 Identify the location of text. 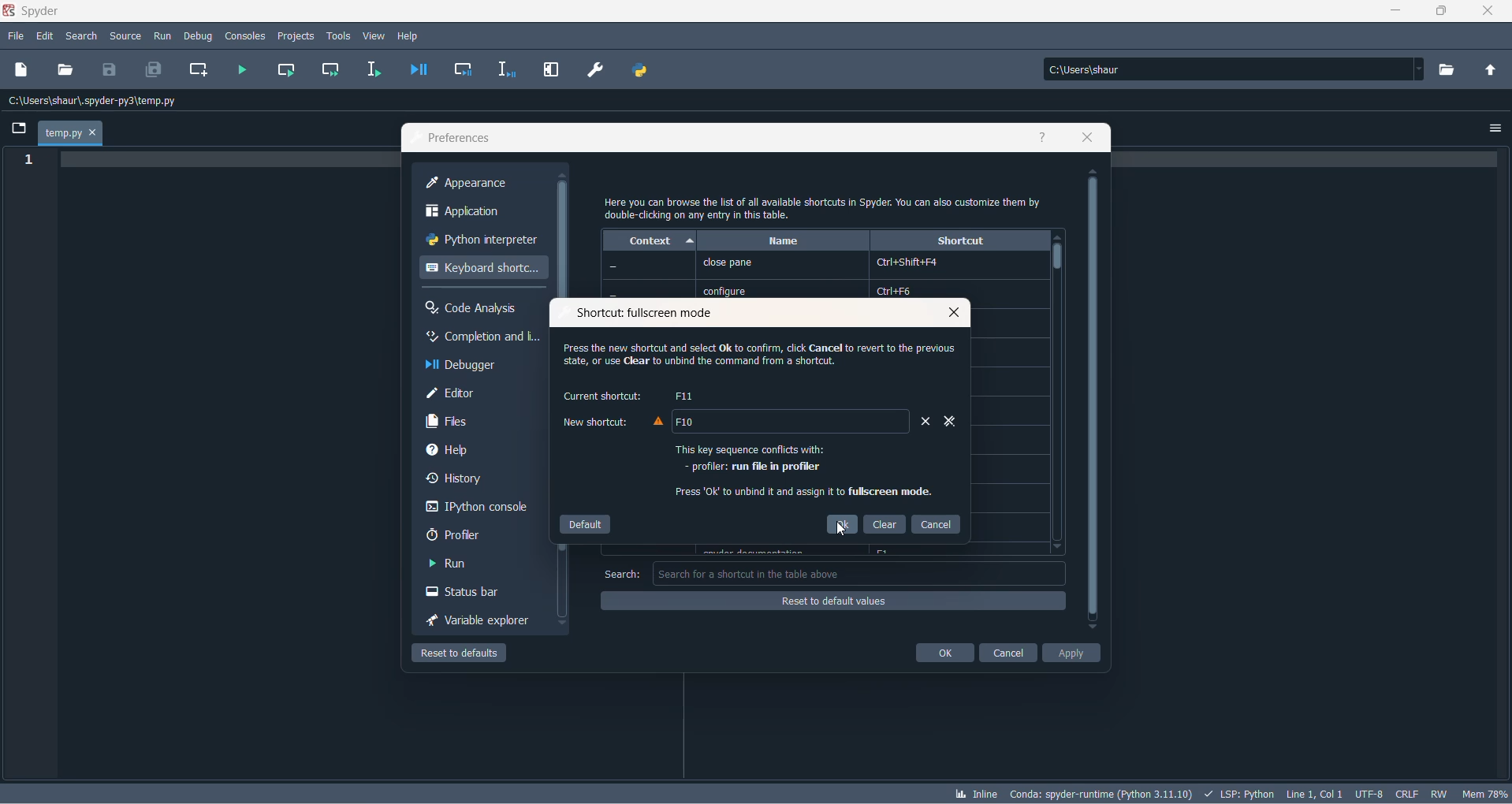
(826, 207).